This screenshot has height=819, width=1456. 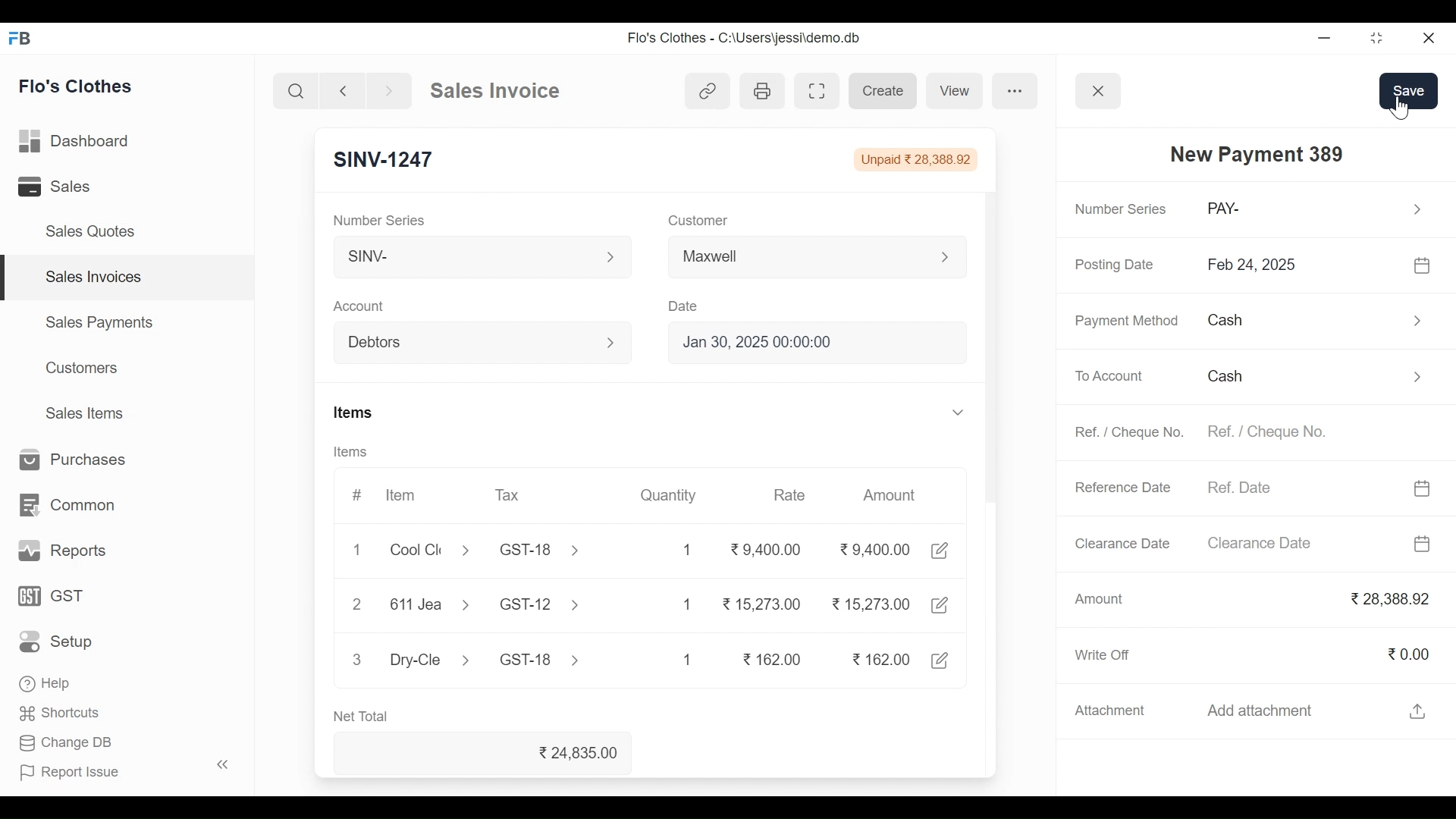 I want to click on Edit, so click(x=945, y=550).